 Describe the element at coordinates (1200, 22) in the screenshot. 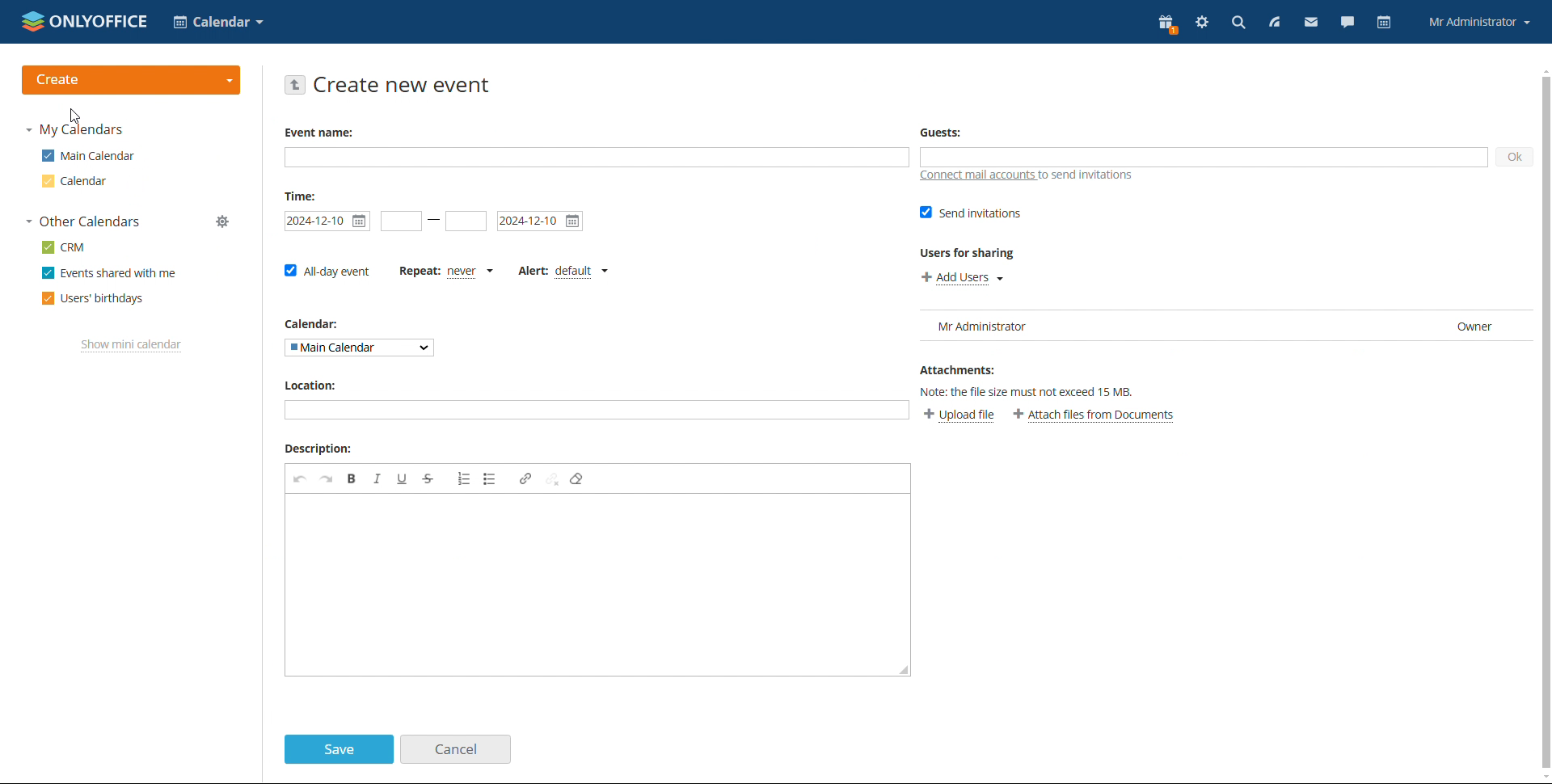

I see `settings` at that location.